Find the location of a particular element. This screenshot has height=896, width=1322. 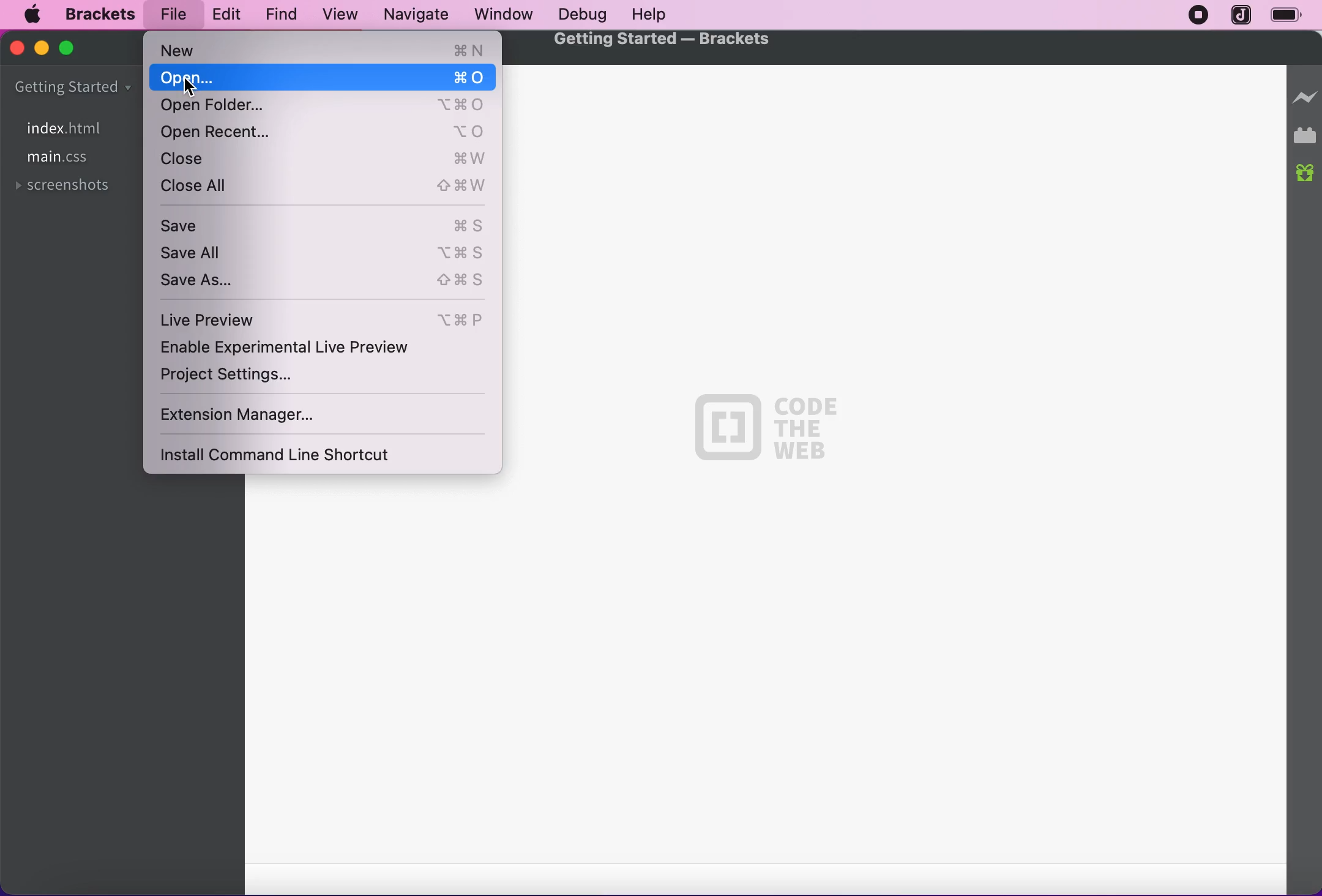

recording stopped is located at coordinates (1194, 16).